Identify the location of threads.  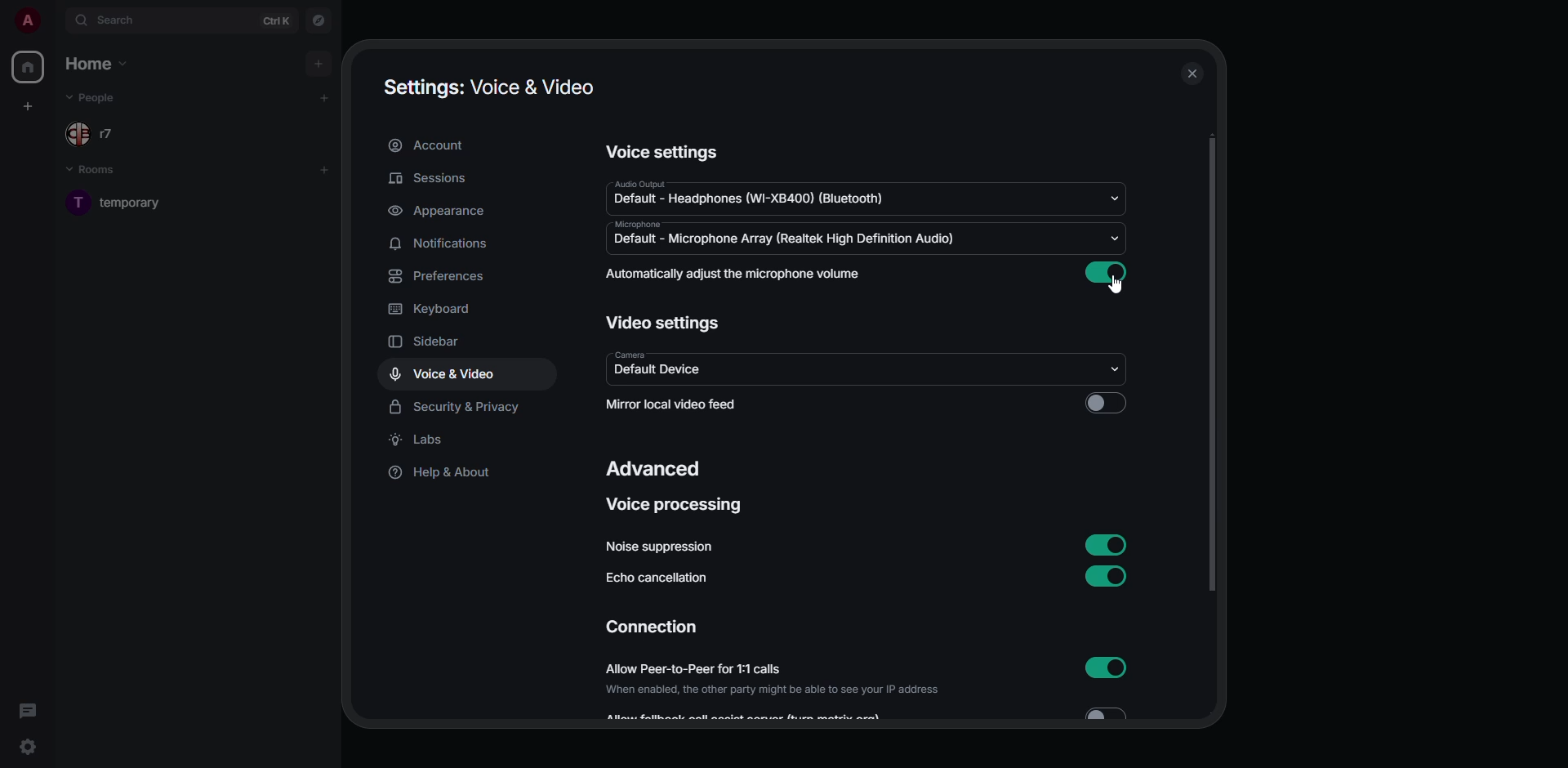
(28, 709).